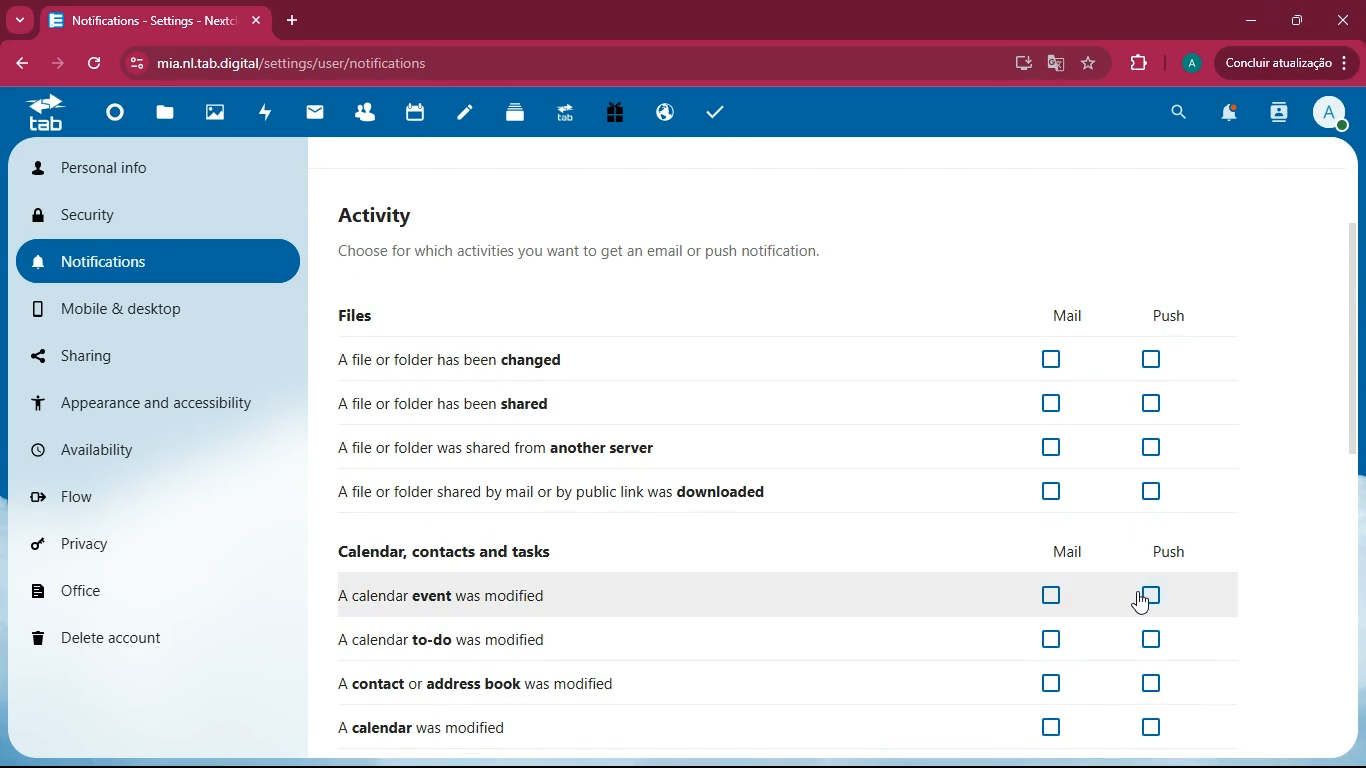  I want to click on view site information, so click(133, 64).